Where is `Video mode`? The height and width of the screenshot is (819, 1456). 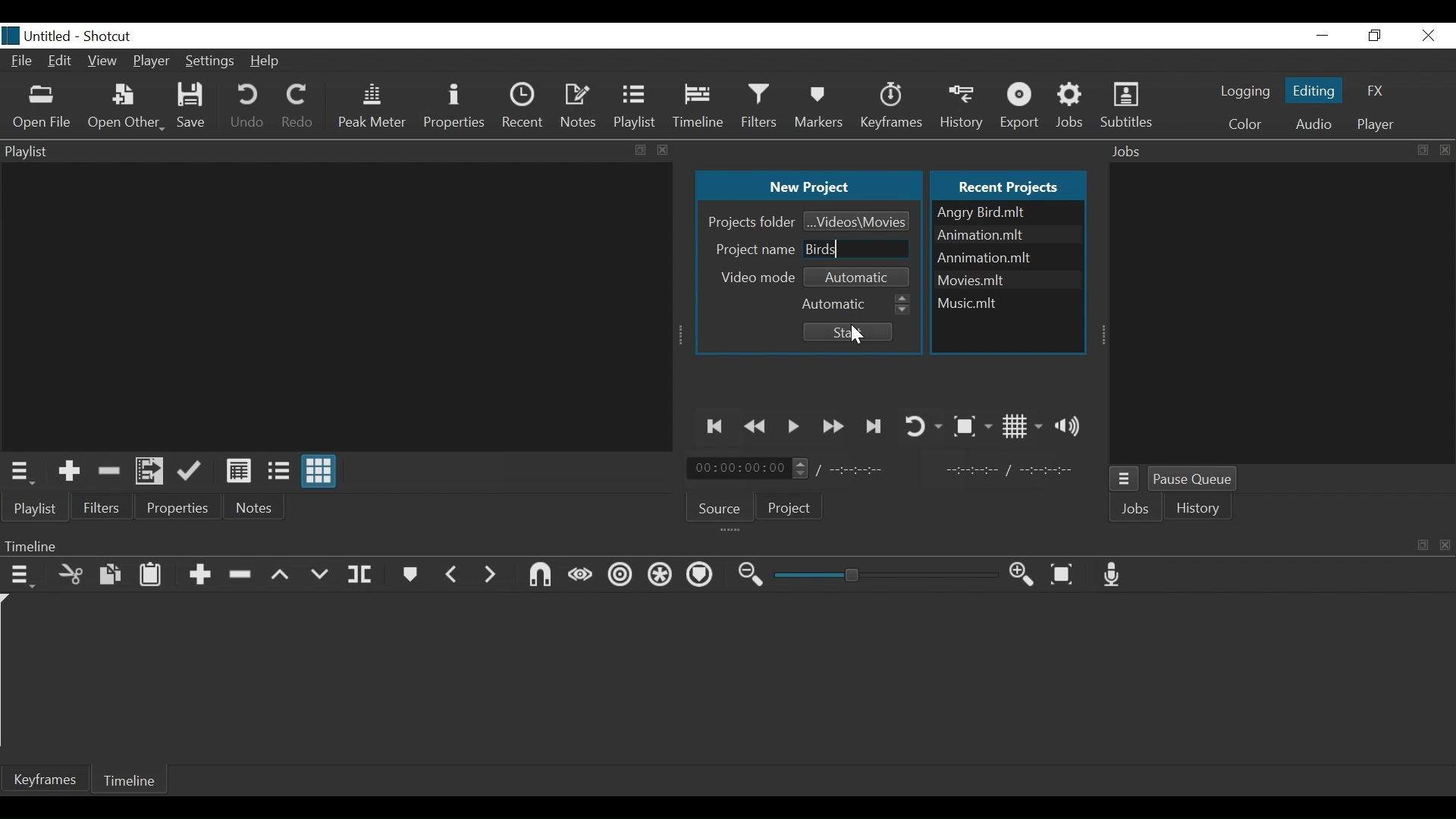 Video mode is located at coordinates (759, 277).